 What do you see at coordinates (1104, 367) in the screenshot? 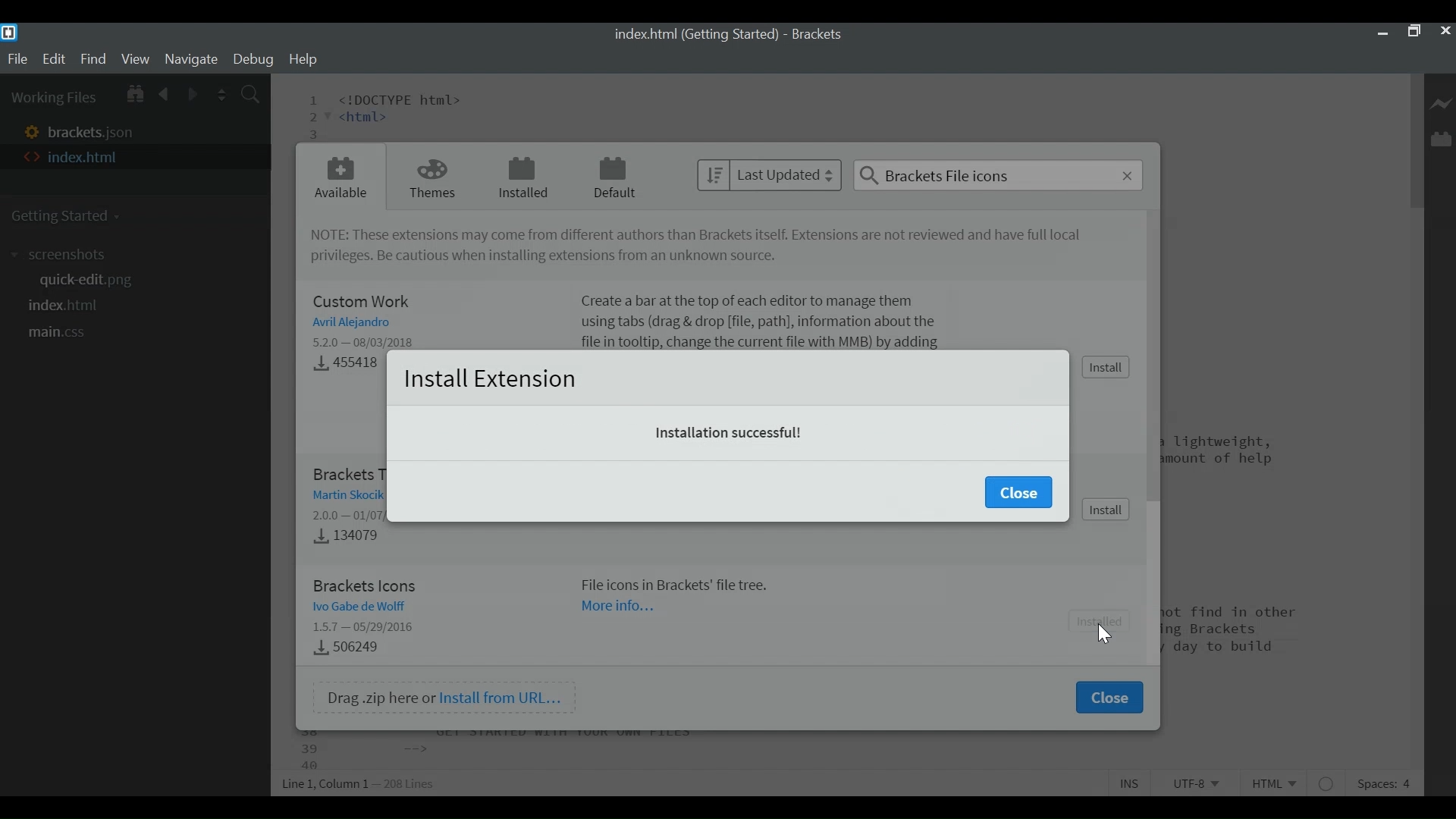
I see `Install` at bounding box center [1104, 367].